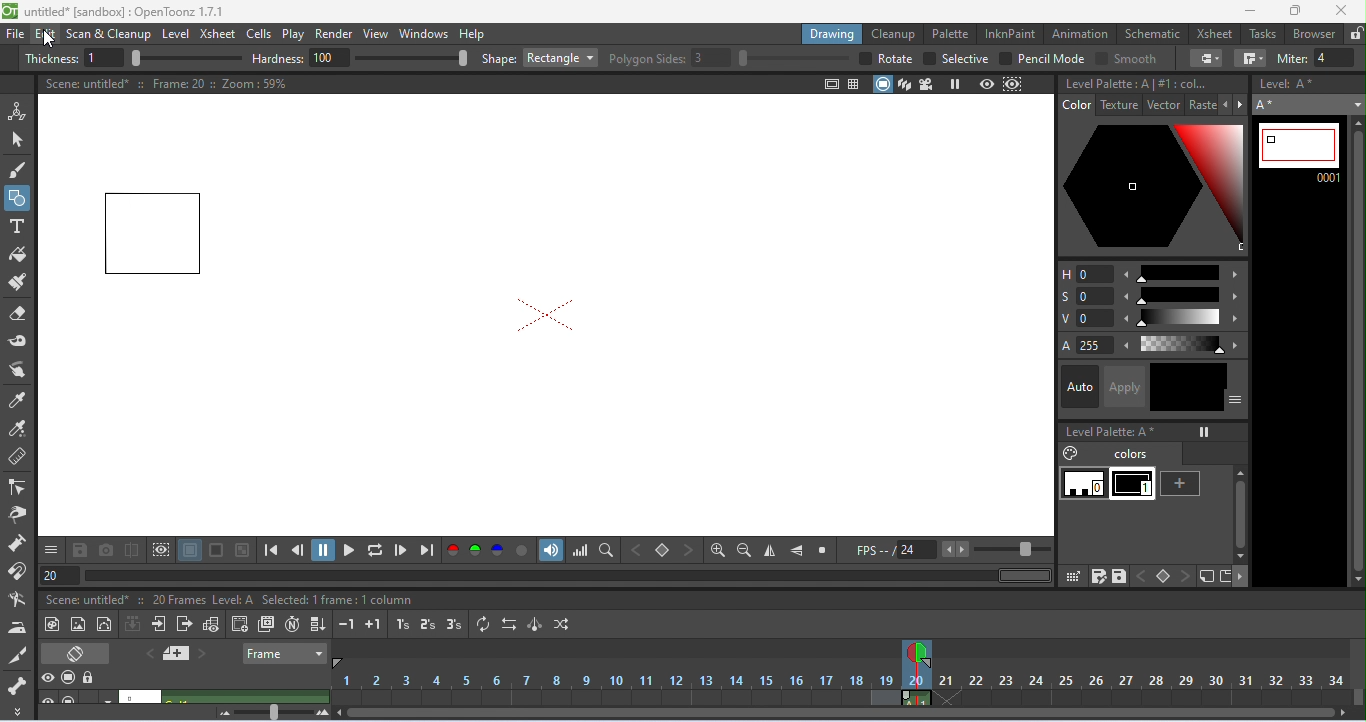  What do you see at coordinates (452, 551) in the screenshot?
I see `red channel` at bounding box center [452, 551].